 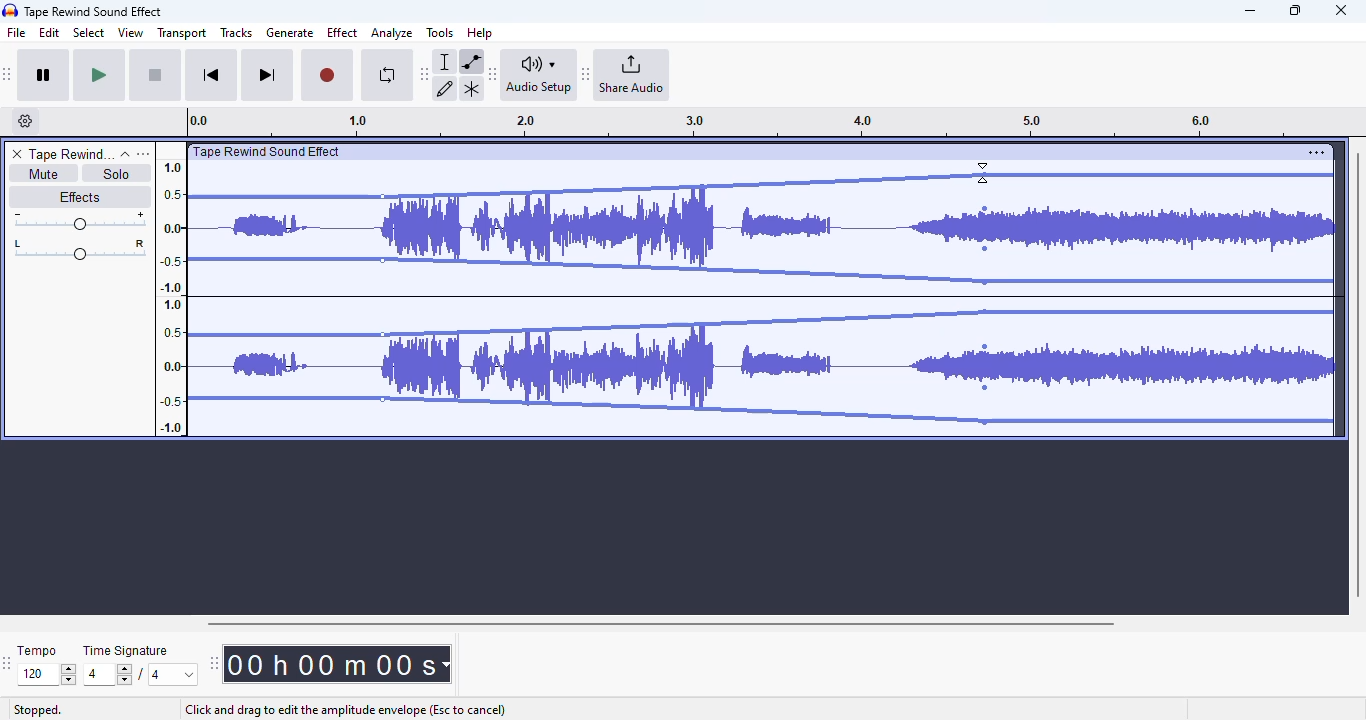 What do you see at coordinates (79, 221) in the screenshot?
I see `Change volume` at bounding box center [79, 221].